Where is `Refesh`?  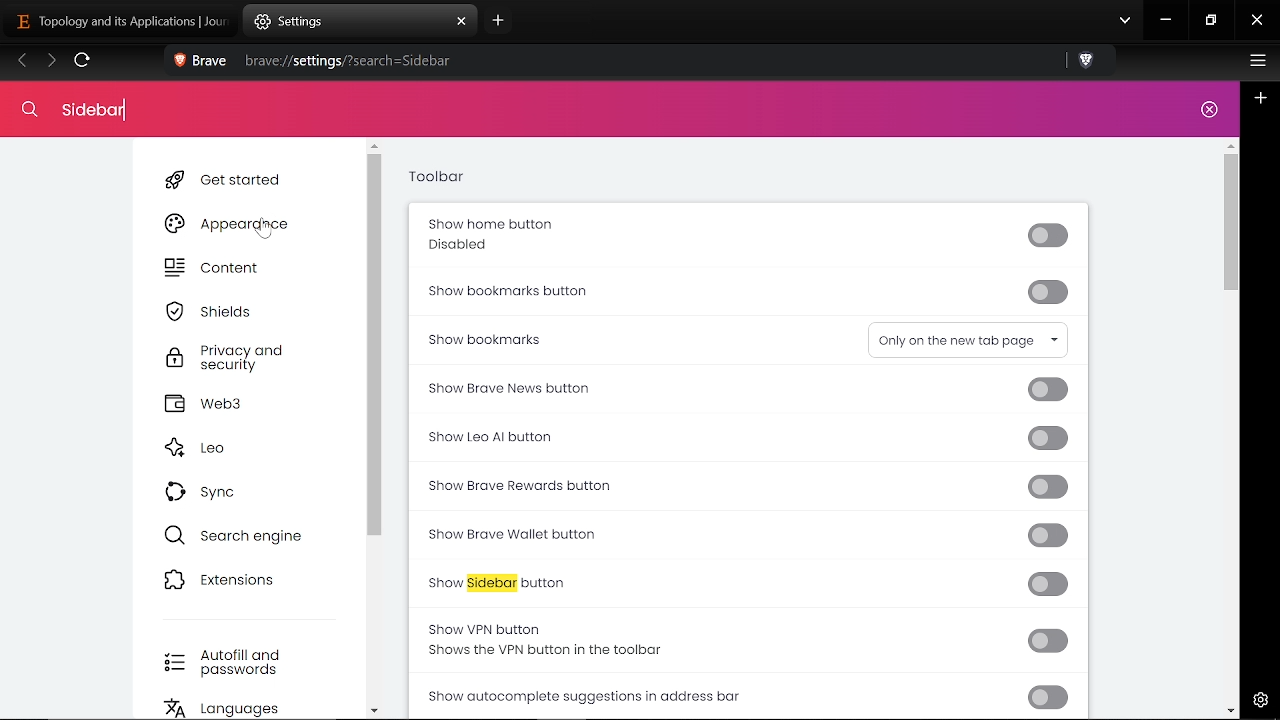 Refesh is located at coordinates (83, 63).